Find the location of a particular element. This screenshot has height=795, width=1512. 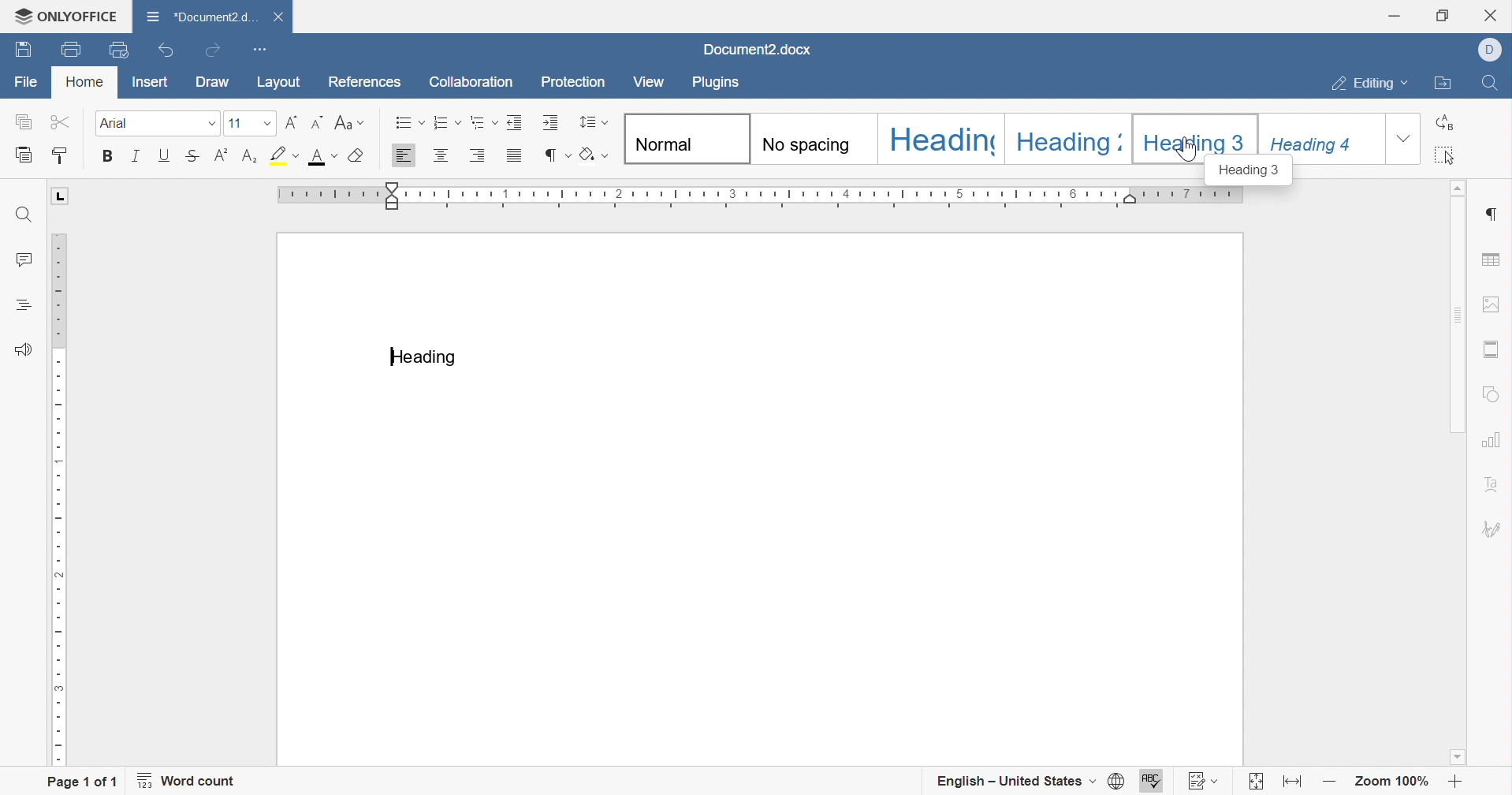

Layout is located at coordinates (281, 82).